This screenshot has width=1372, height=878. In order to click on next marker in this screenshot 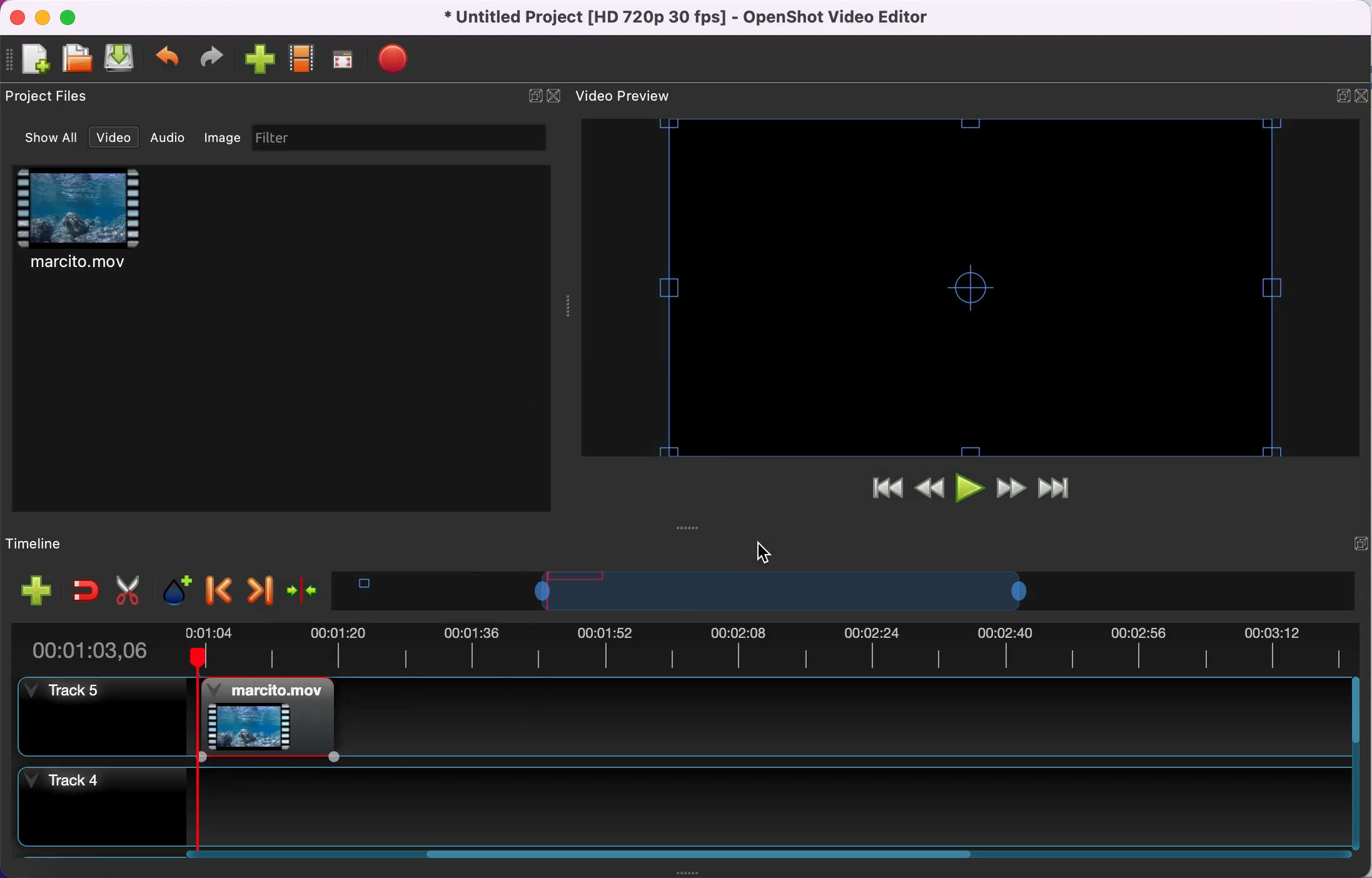, I will do `click(259, 591)`.